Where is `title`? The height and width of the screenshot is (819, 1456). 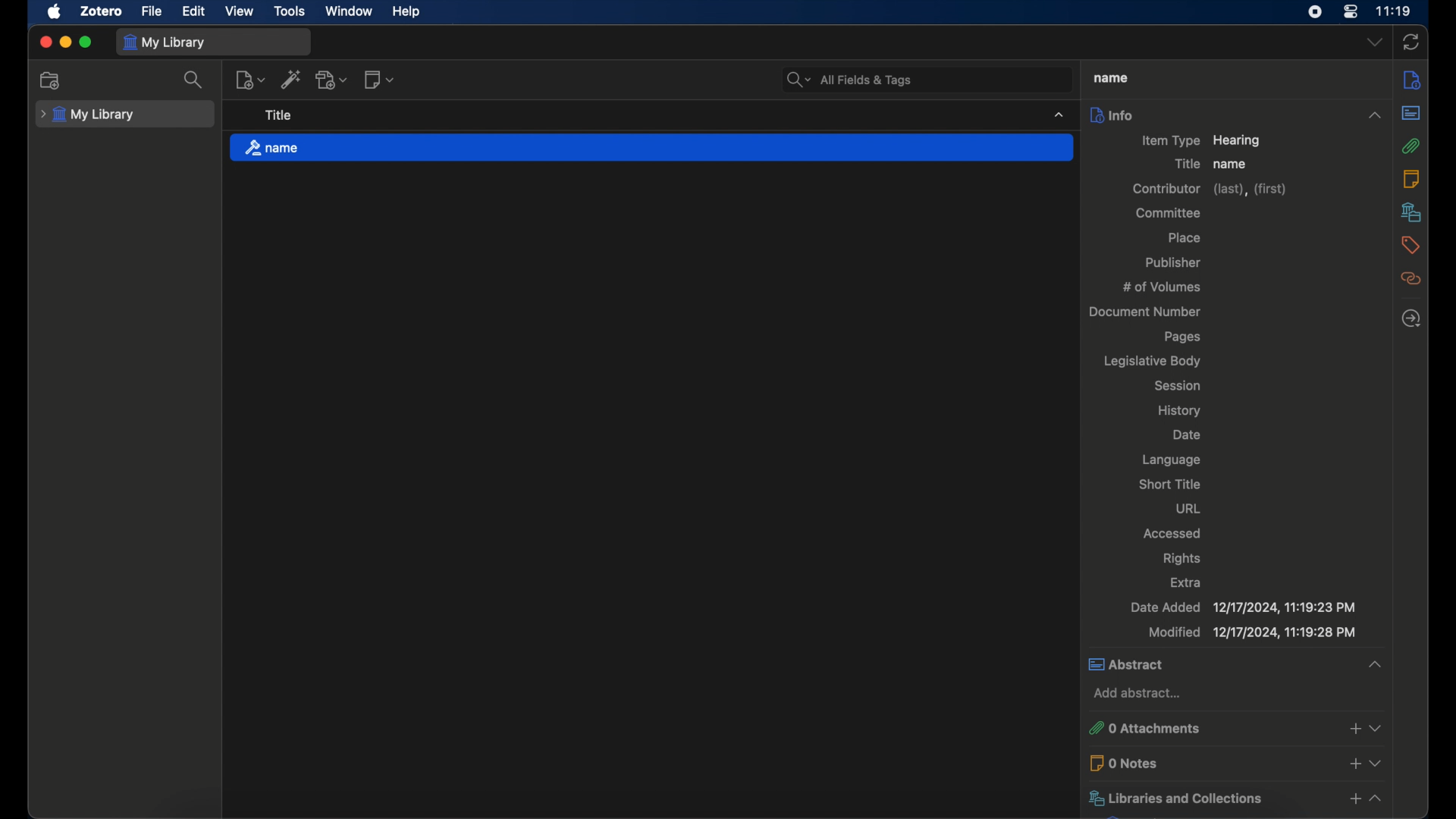 title is located at coordinates (1185, 164).